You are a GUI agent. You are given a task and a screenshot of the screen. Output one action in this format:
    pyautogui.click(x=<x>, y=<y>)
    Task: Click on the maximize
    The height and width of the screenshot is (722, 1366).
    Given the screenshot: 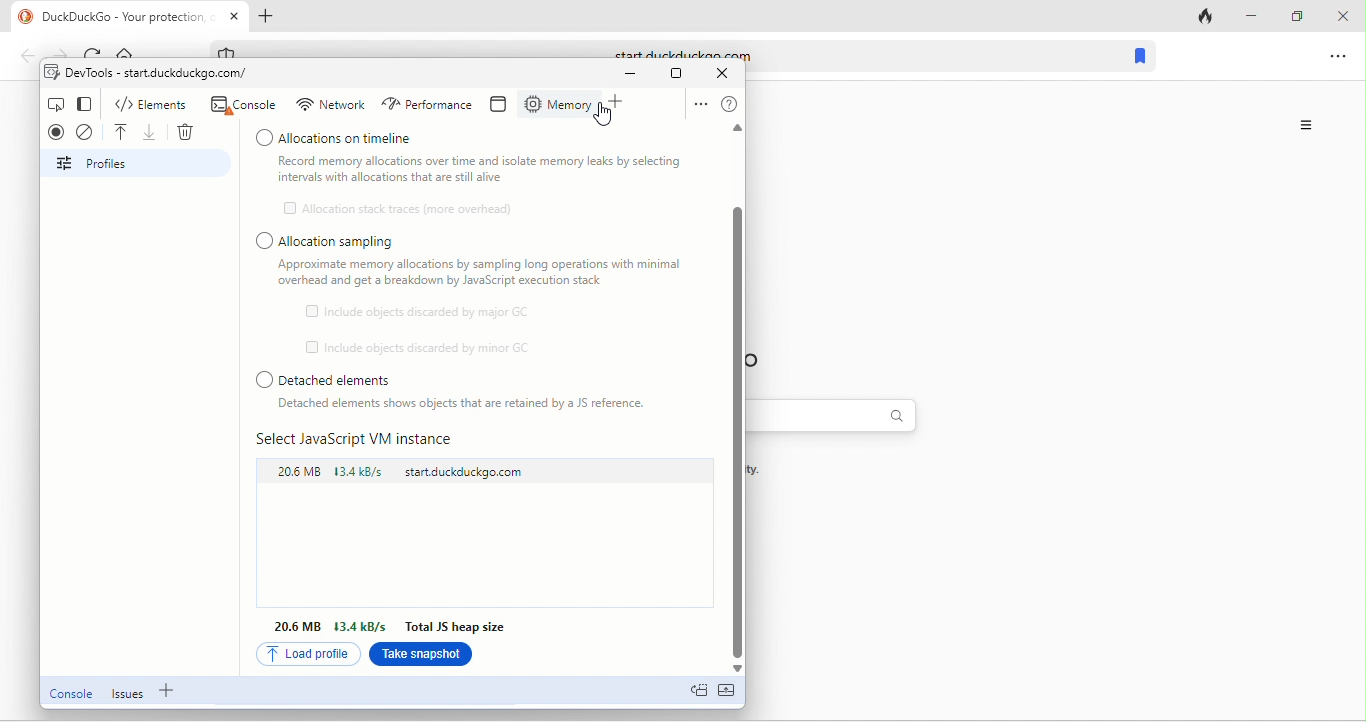 What is the action you would take?
    pyautogui.click(x=683, y=75)
    